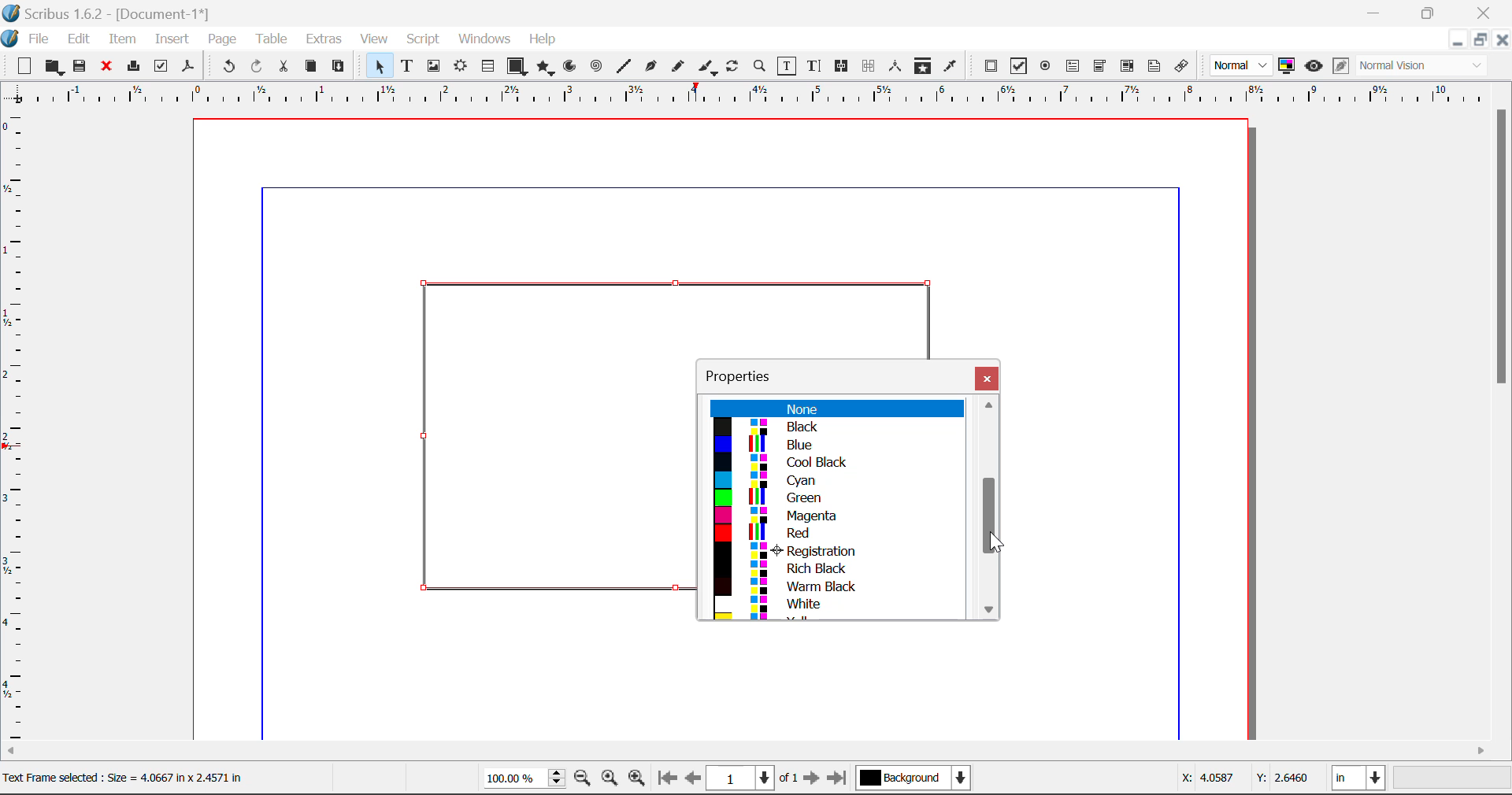  Describe the element at coordinates (524, 779) in the screenshot. I see `Zoom 100%` at that location.